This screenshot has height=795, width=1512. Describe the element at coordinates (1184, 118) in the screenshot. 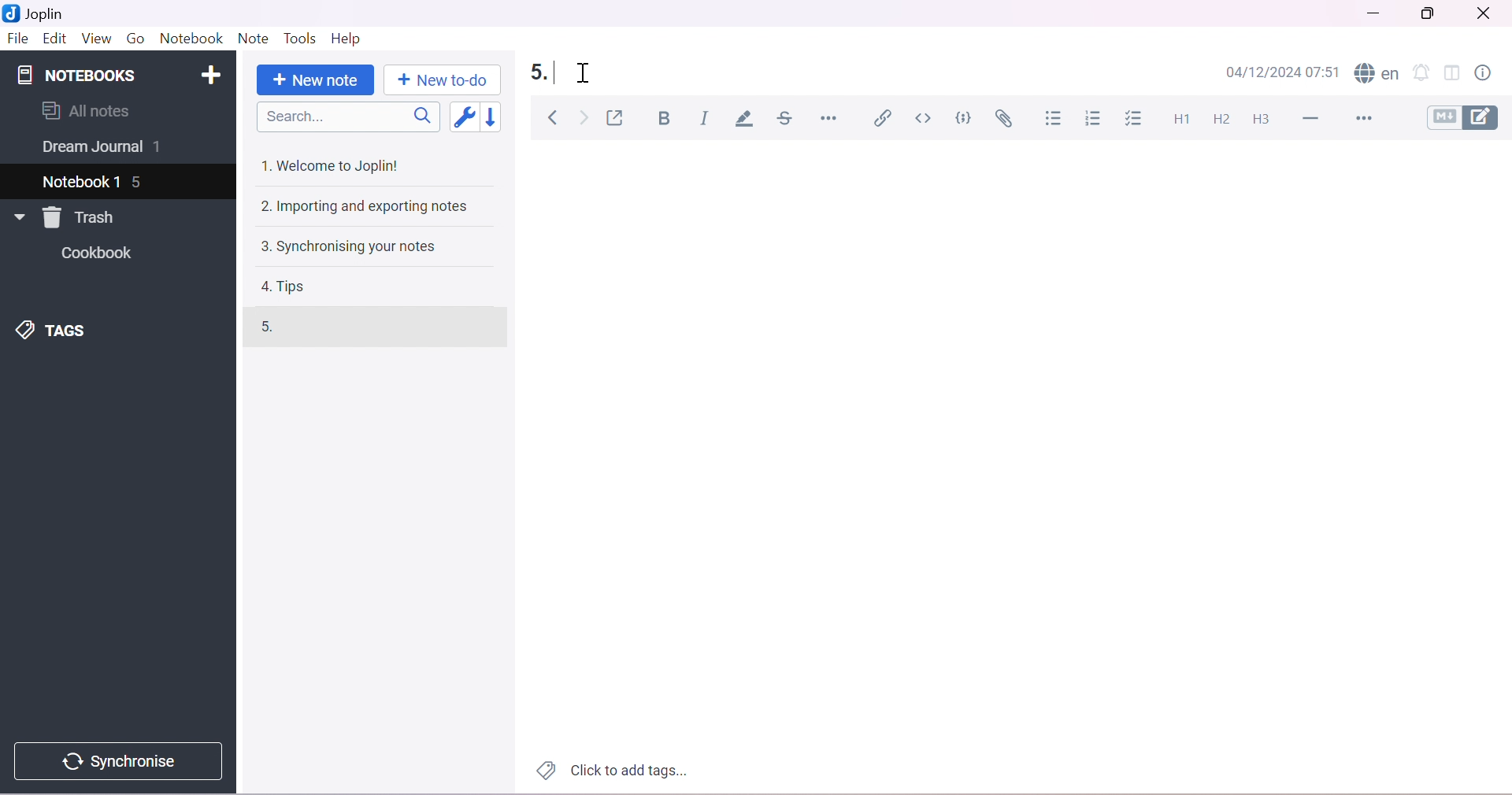

I see `Heading 1` at that location.